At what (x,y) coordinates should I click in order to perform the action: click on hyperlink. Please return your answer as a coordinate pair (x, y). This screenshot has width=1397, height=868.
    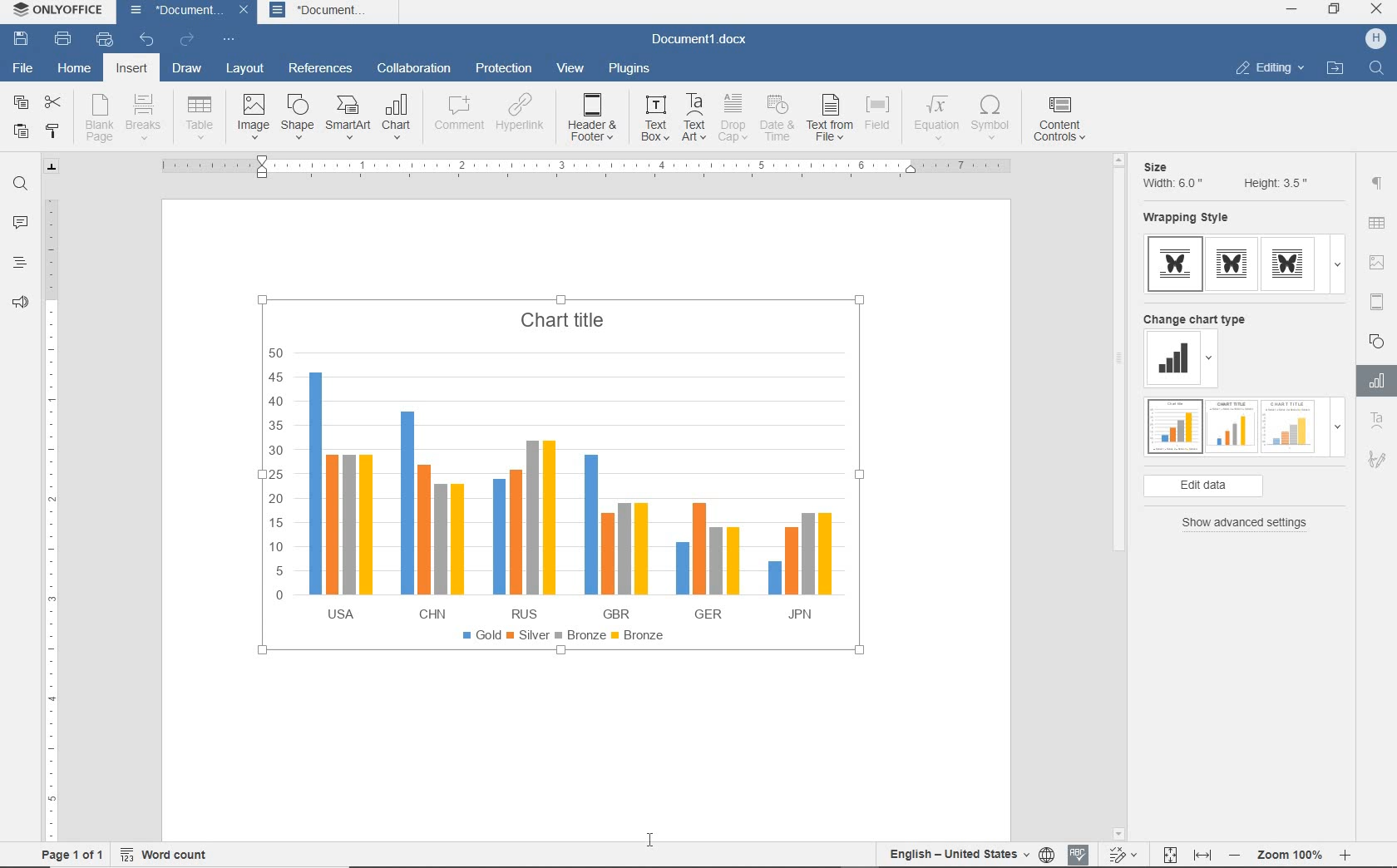
    Looking at the image, I should click on (521, 117).